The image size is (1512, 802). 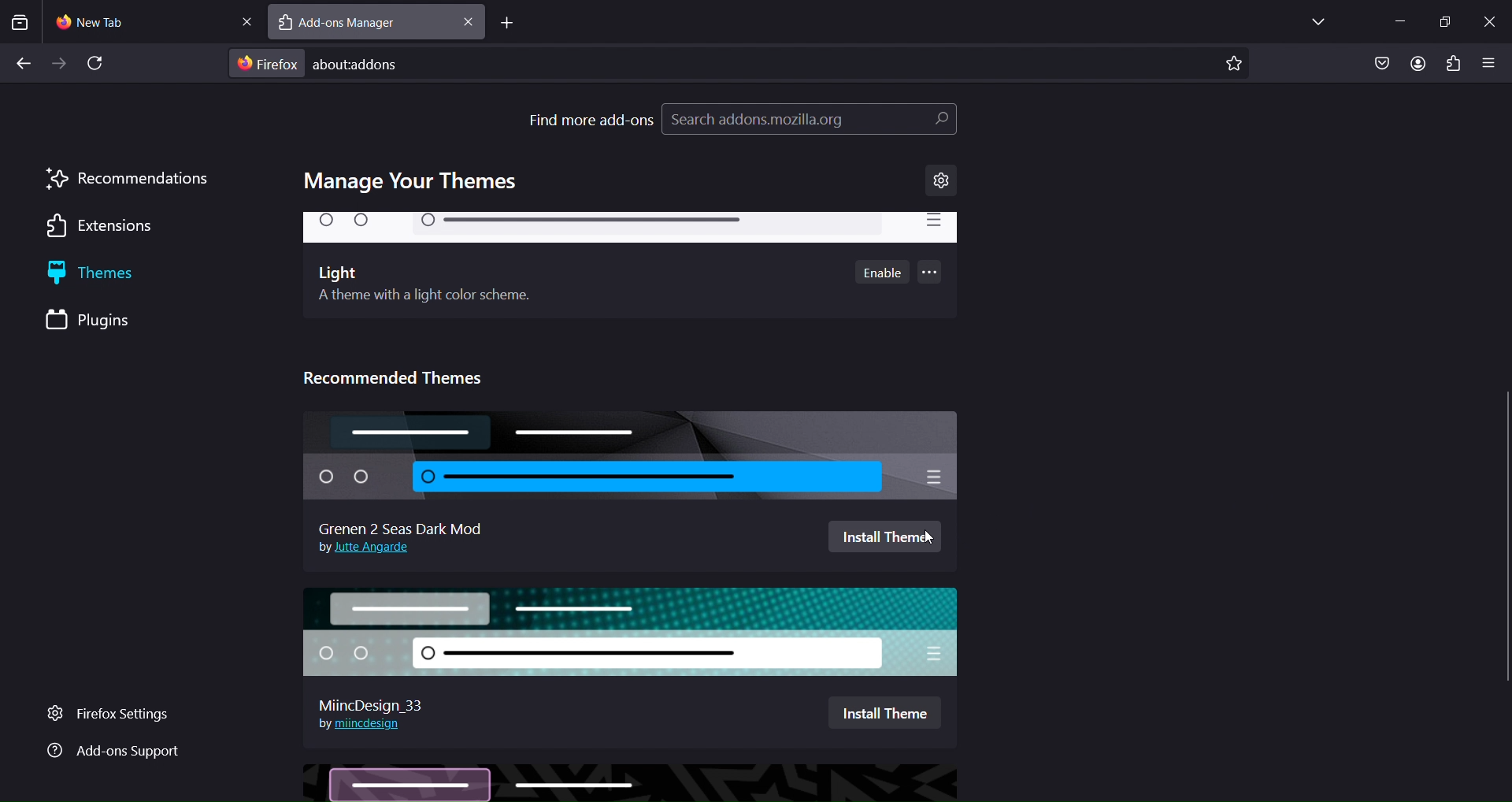 I want to click on minx design 33, so click(x=637, y=631).